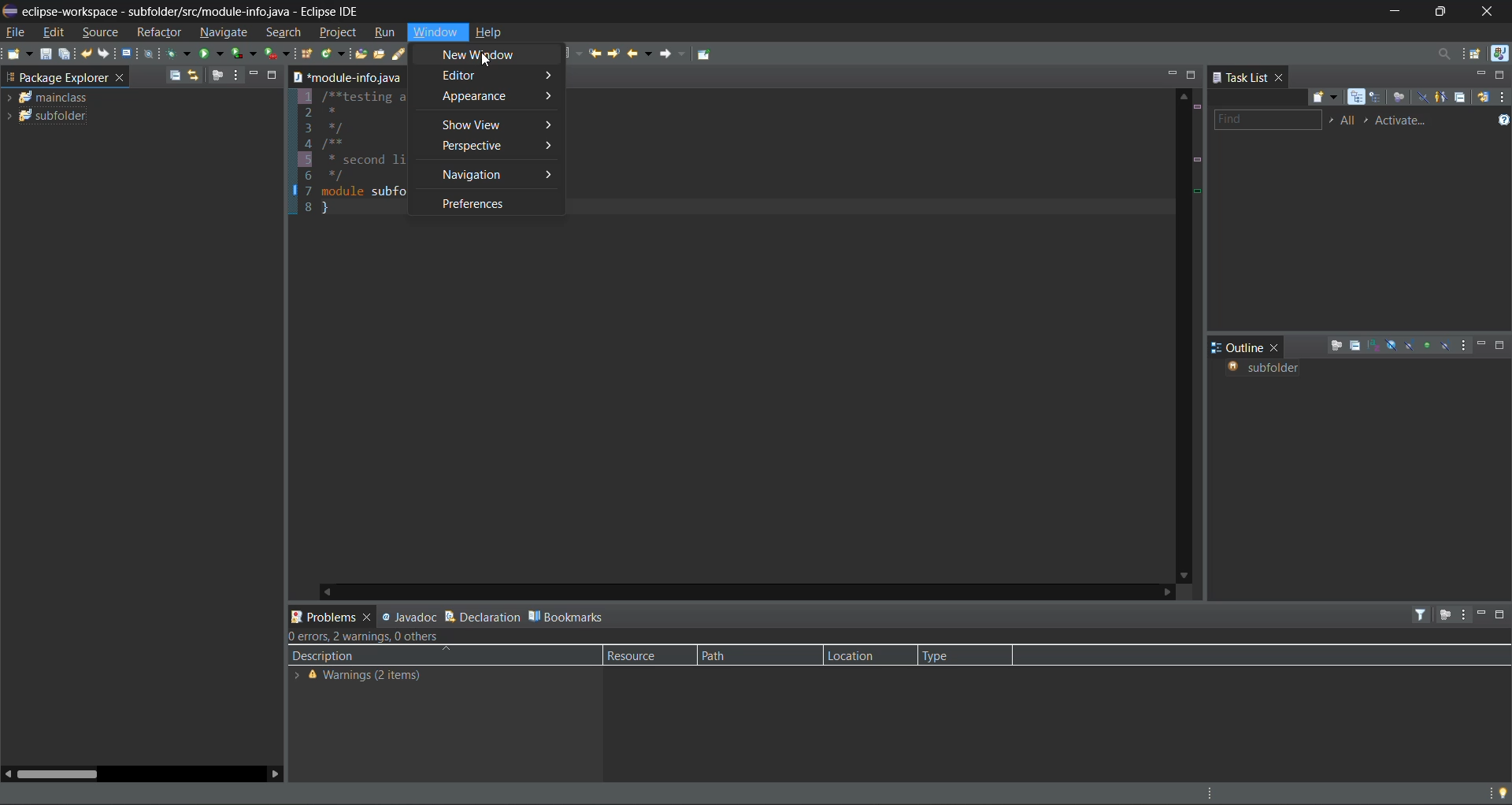 The width and height of the screenshot is (1512, 805). Describe the element at coordinates (333, 656) in the screenshot. I see `description` at that location.